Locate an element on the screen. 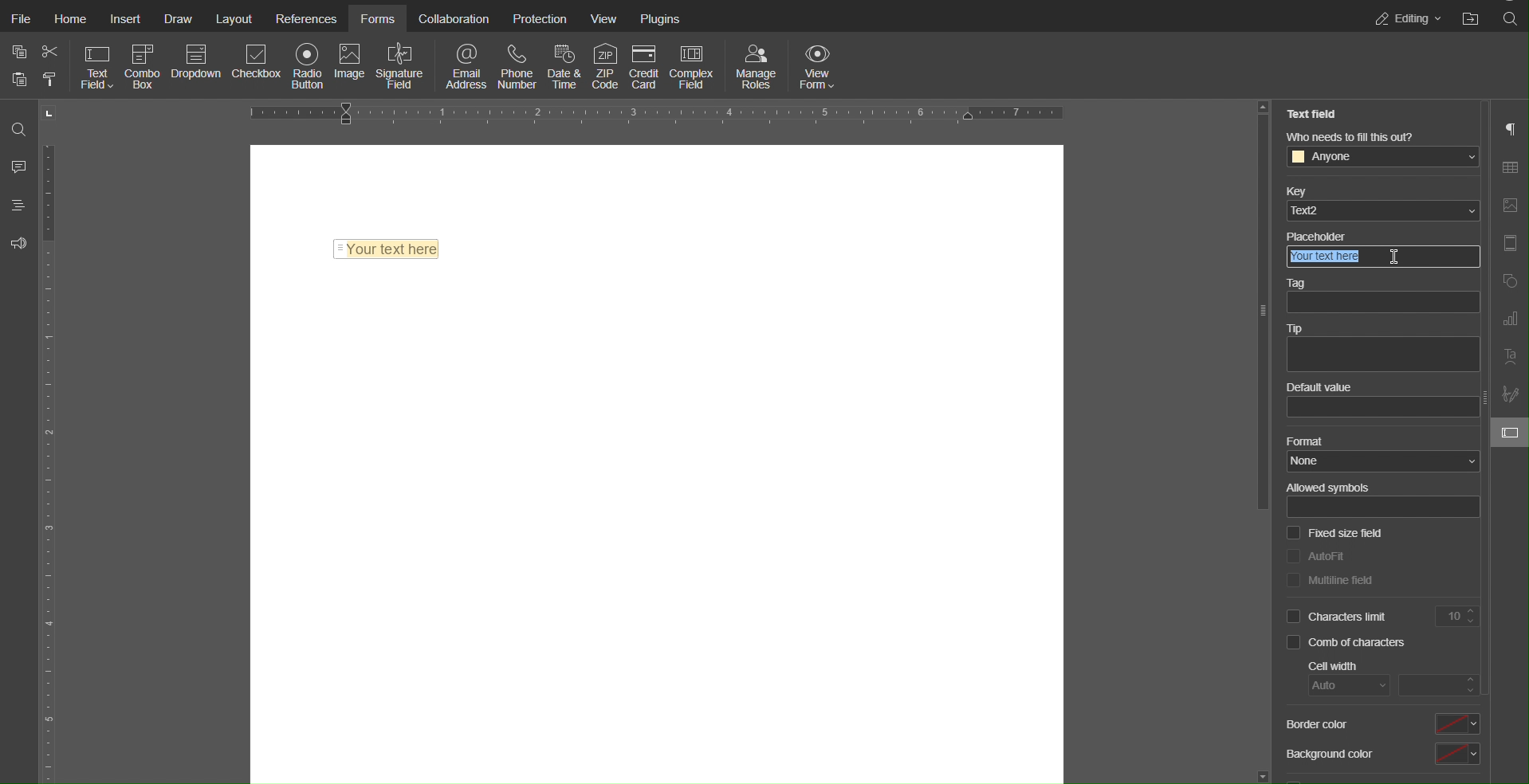  Feedback & Support is located at coordinates (20, 244).